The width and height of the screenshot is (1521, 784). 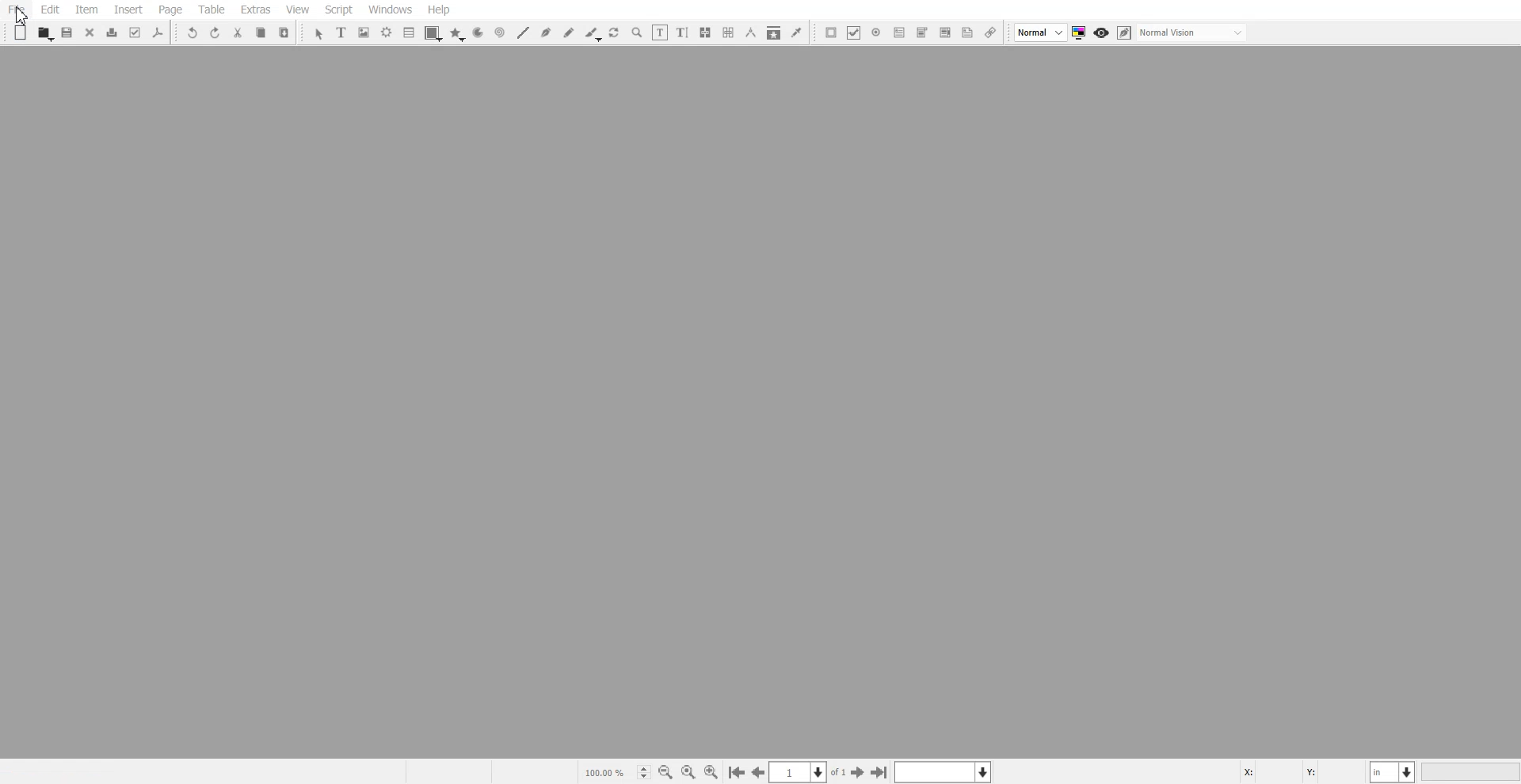 I want to click on Rotate Item, so click(x=616, y=33).